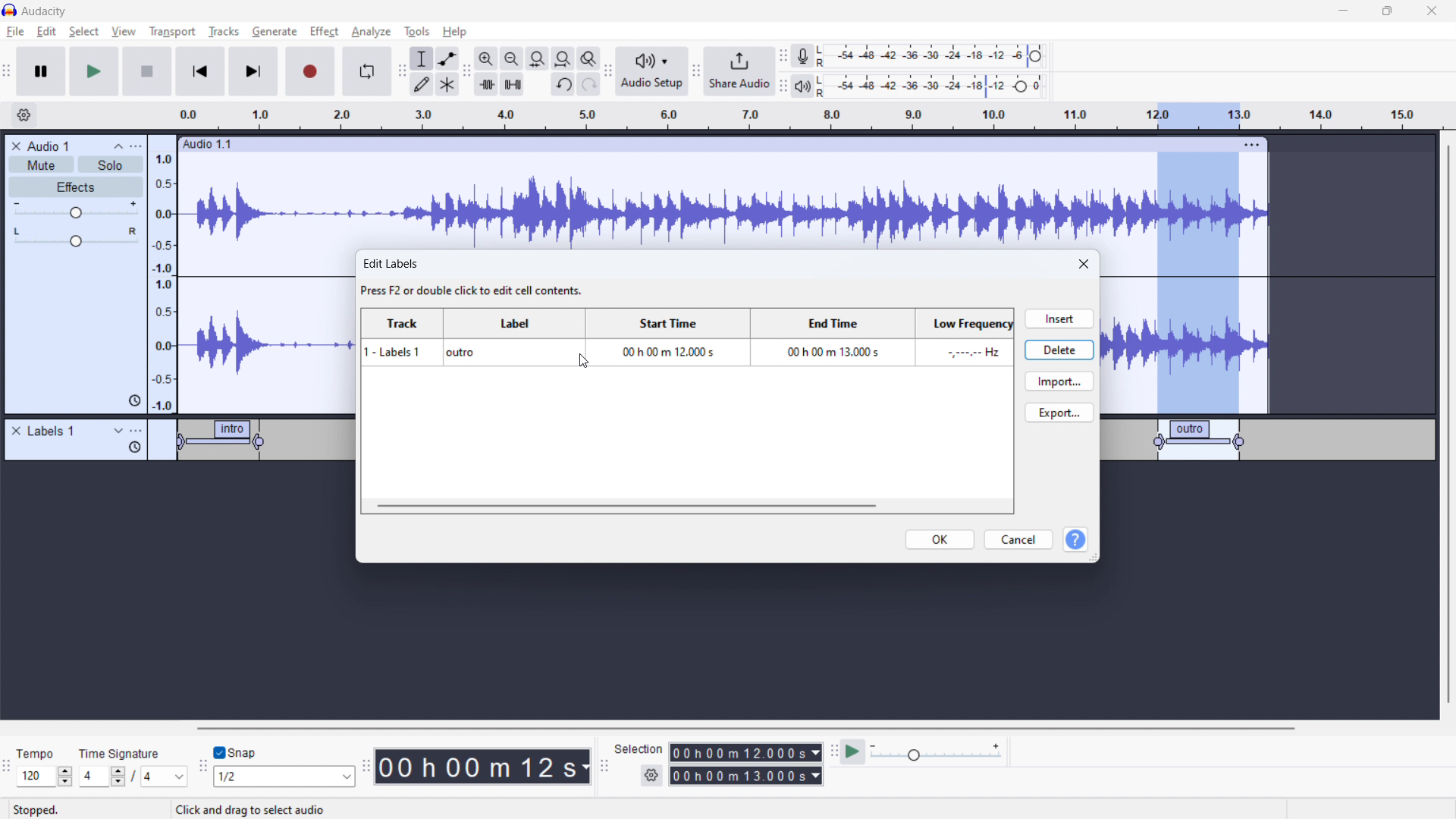 The image size is (1456, 819). What do you see at coordinates (935, 752) in the screenshot?
I see `playback speed` at bounding box center [935, 752].